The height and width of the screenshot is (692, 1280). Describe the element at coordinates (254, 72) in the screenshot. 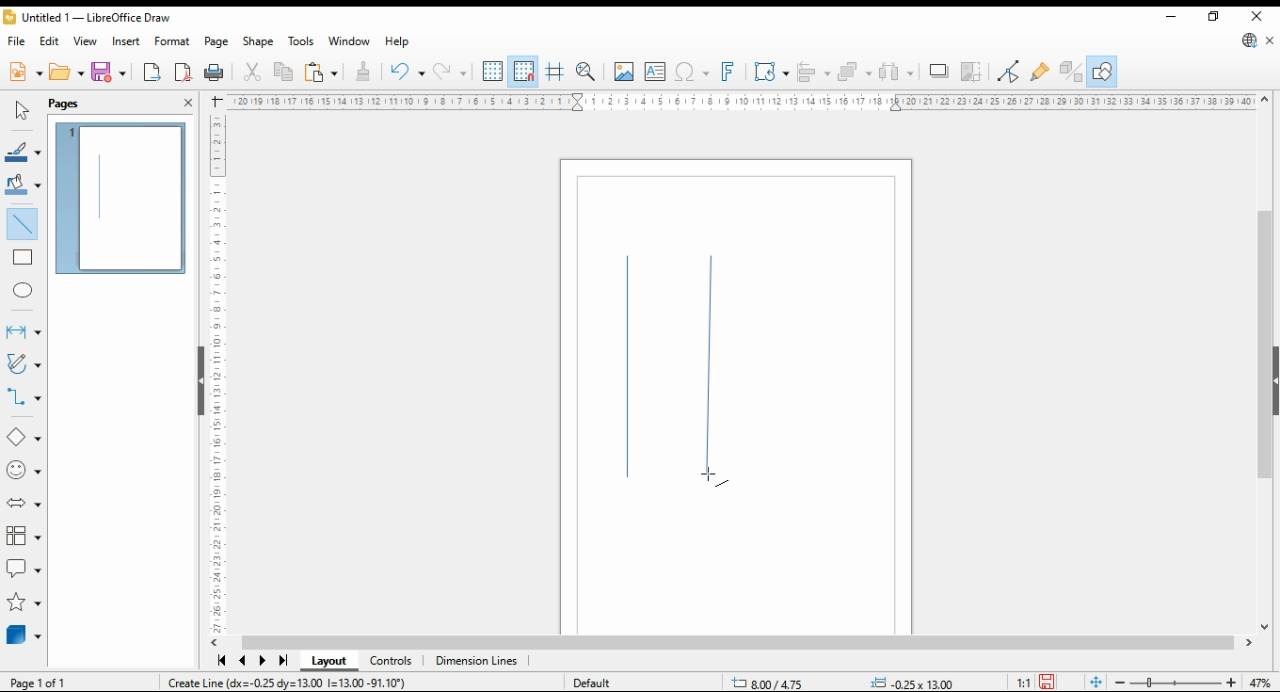

I see `cut` at that location.